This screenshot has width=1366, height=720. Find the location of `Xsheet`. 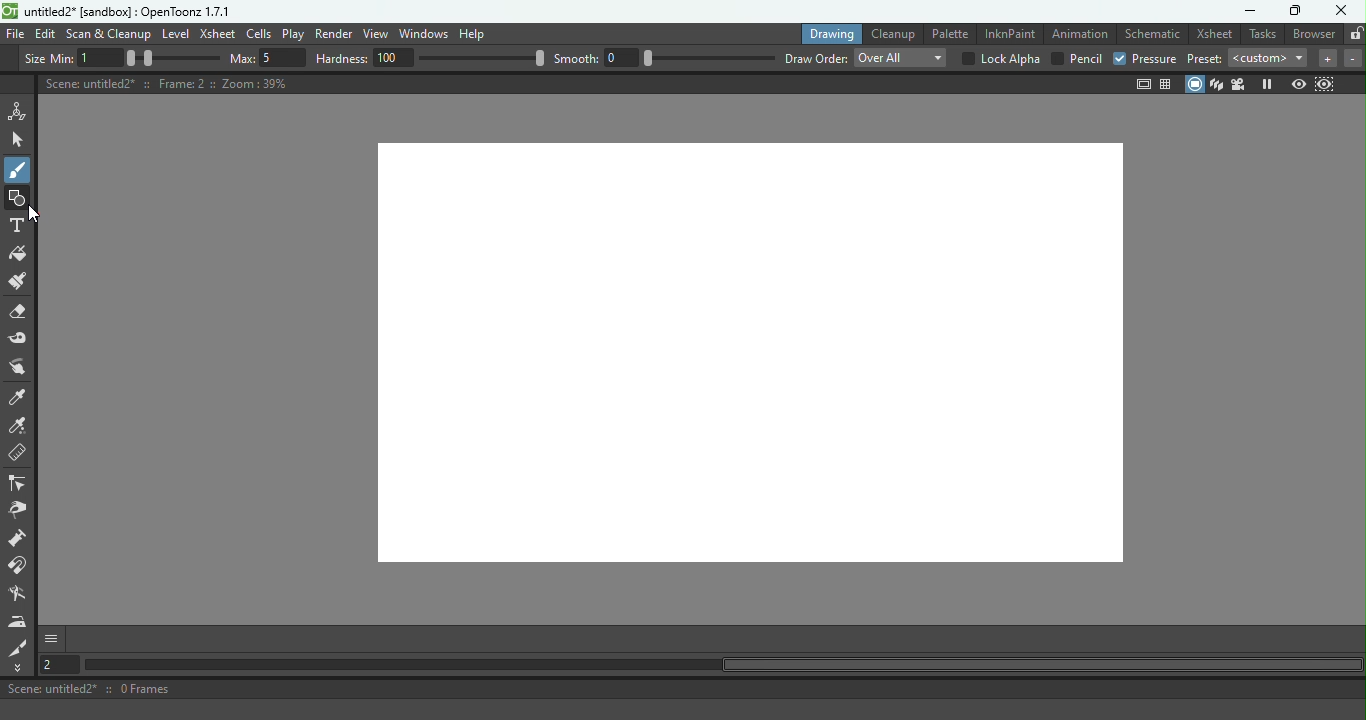

Xsheet is located at coordinates (218, 32).